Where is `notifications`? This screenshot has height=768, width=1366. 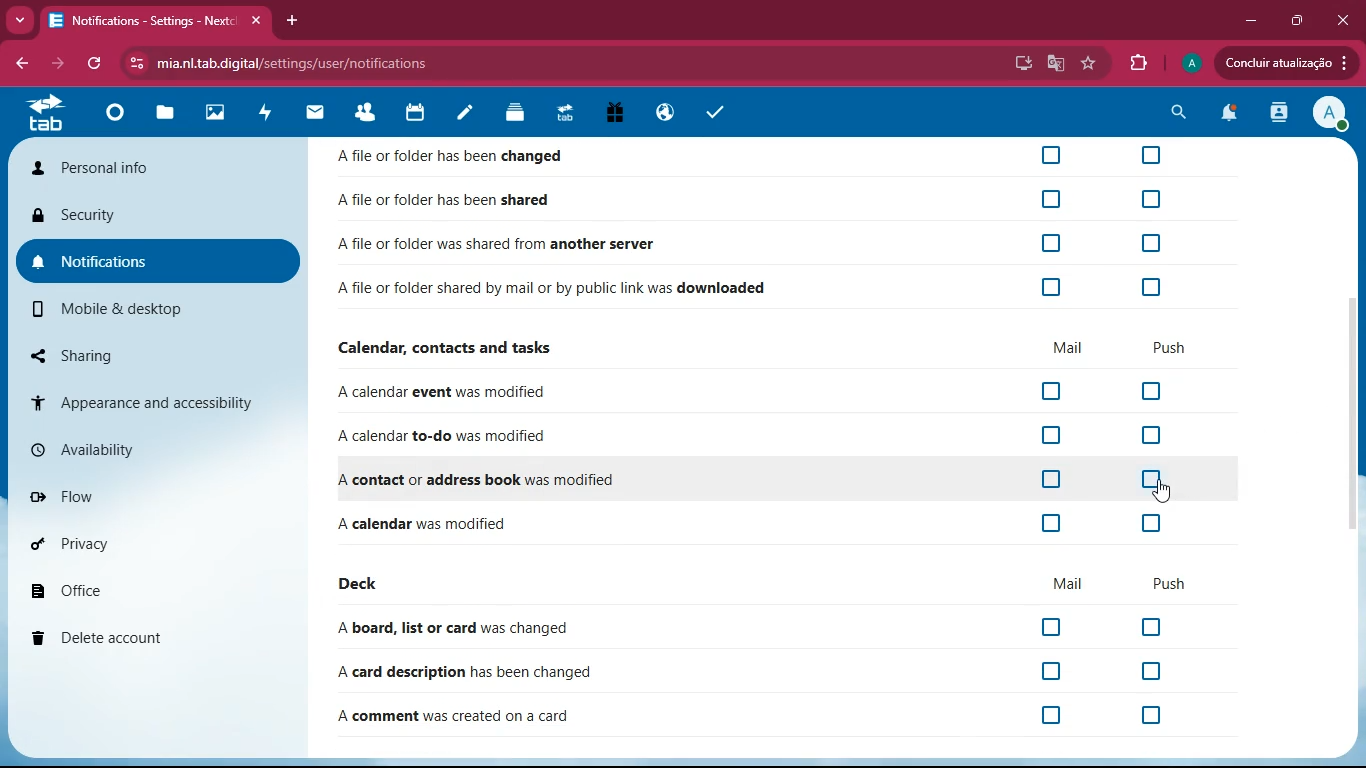
notifications is located at coordinates (149, 264).